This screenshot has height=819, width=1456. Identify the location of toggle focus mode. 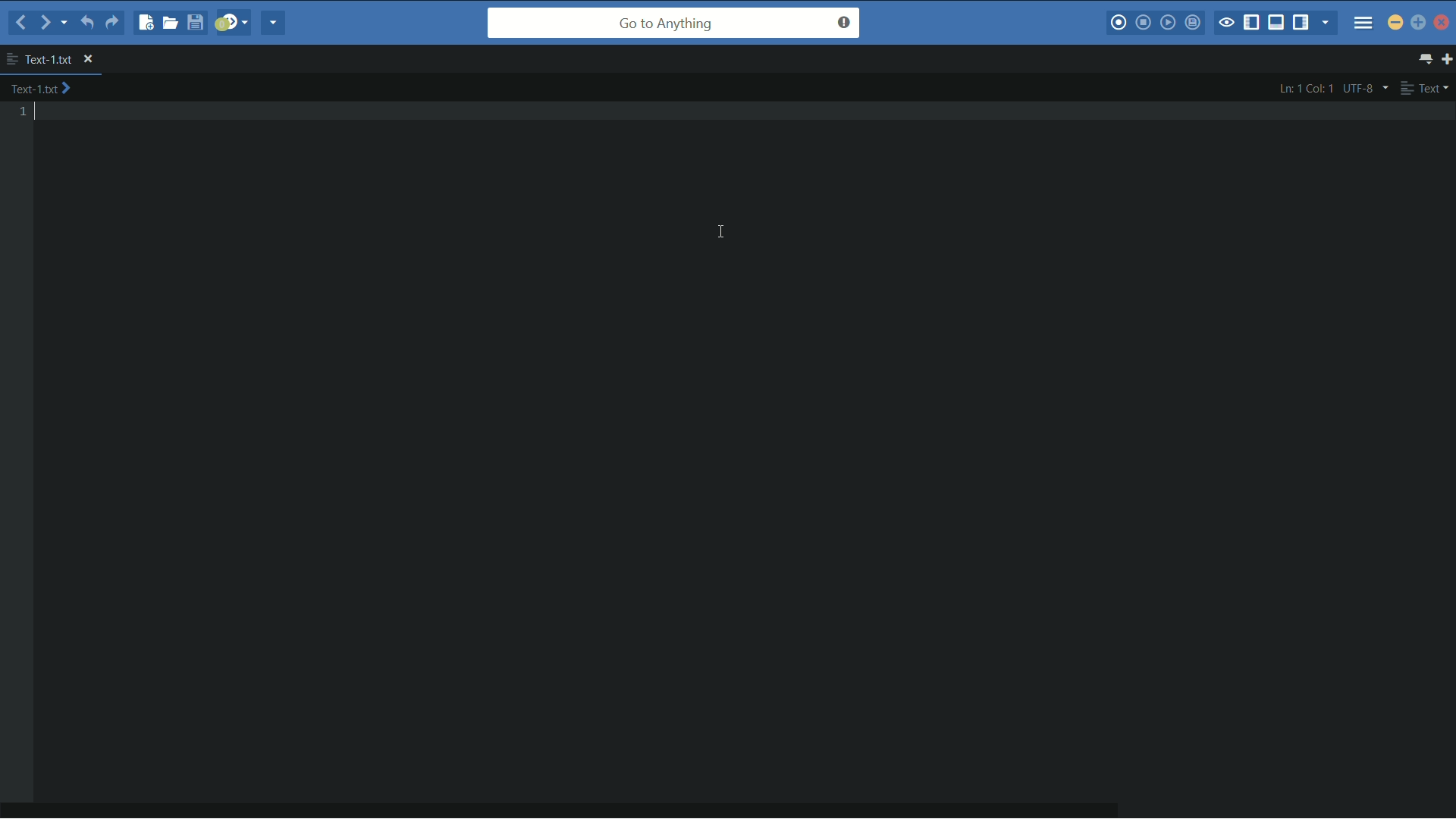
(1226, 24).